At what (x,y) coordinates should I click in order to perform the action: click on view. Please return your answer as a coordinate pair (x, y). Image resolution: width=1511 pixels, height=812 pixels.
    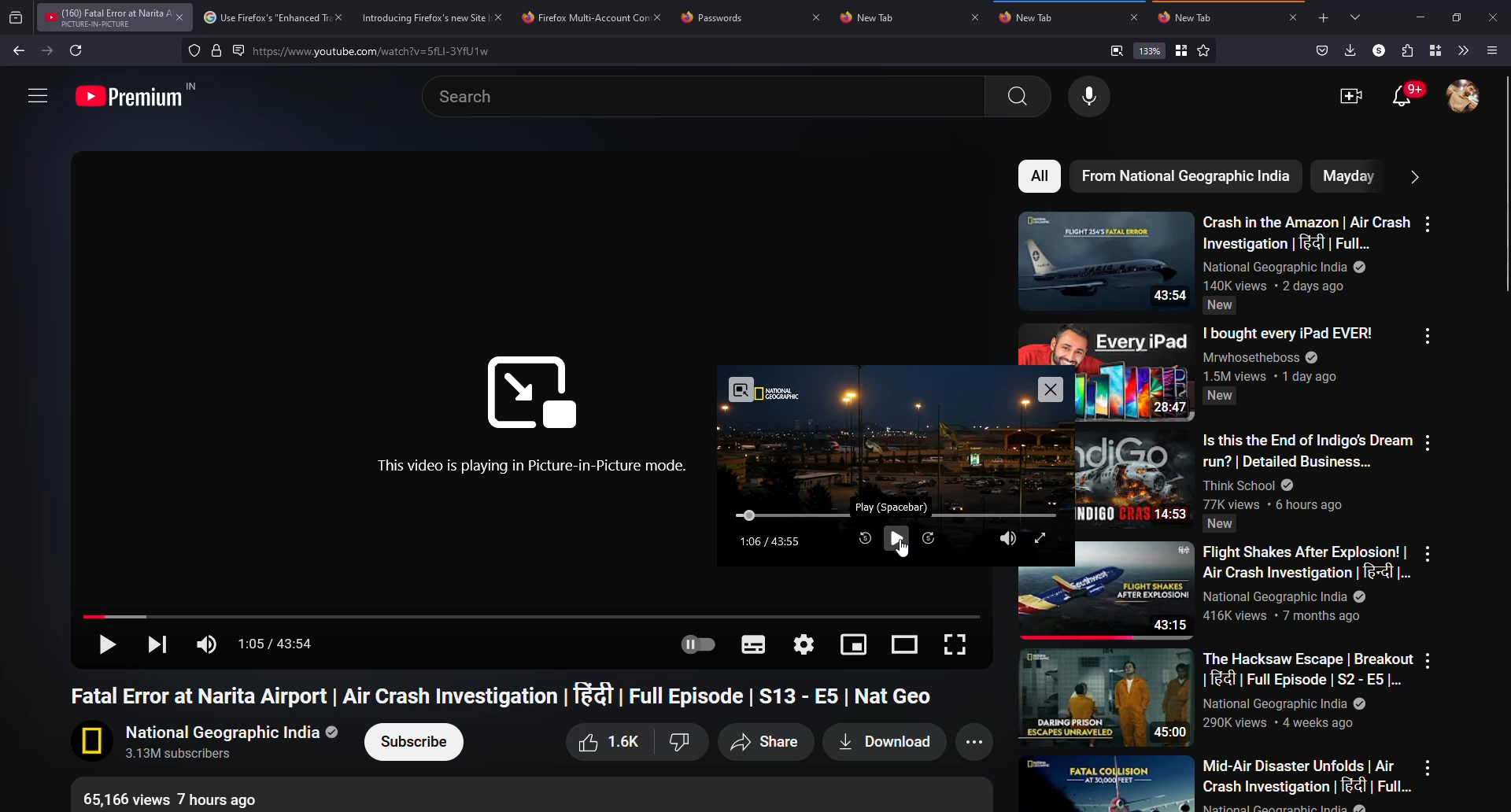
    Looking at the image, I should click on (907, 643).